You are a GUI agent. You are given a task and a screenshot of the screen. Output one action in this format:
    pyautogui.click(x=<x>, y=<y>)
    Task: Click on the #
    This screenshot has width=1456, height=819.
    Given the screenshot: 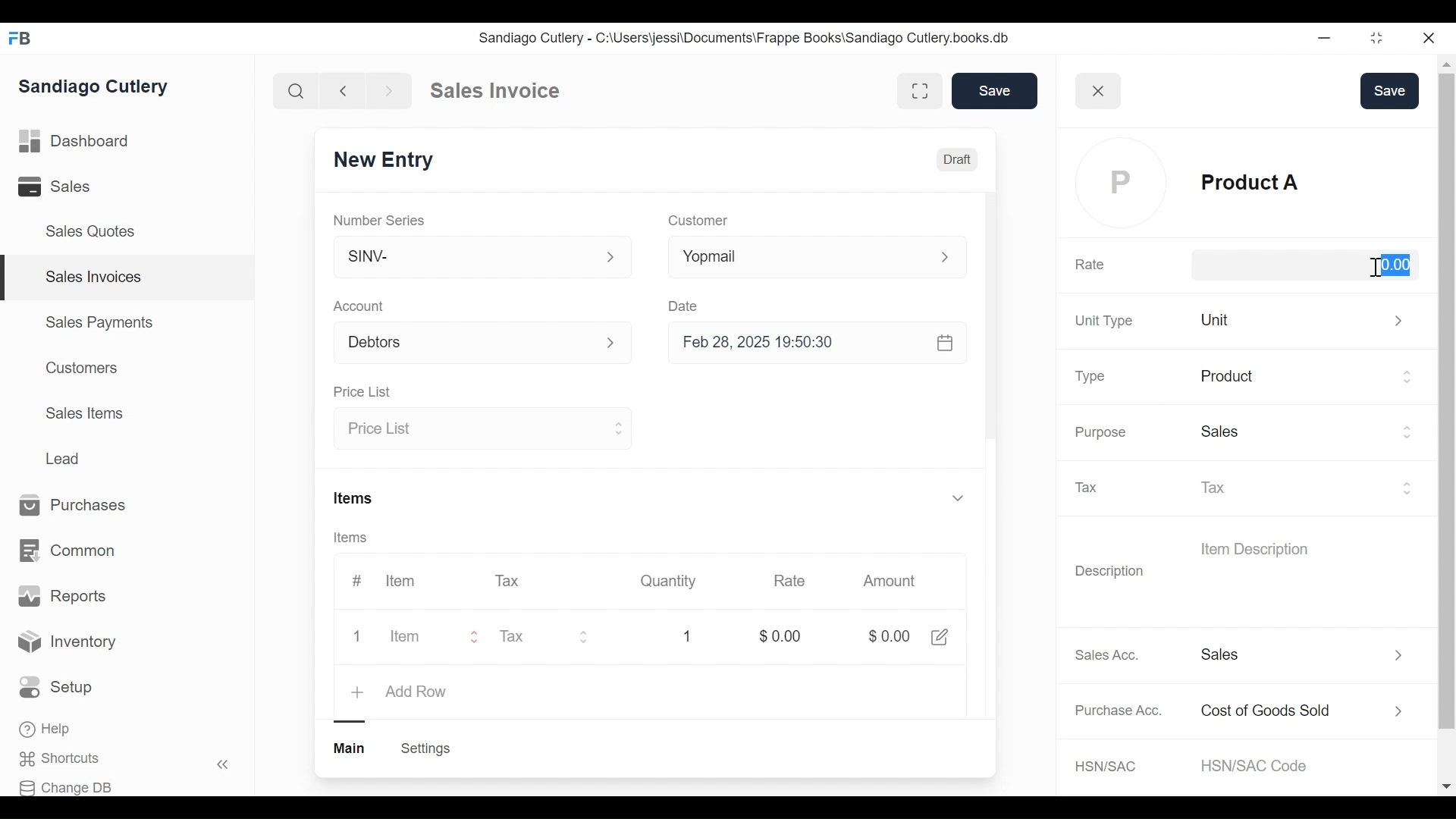 What is the action you would take?
    pyautogui.click(x=360, y=579)
    